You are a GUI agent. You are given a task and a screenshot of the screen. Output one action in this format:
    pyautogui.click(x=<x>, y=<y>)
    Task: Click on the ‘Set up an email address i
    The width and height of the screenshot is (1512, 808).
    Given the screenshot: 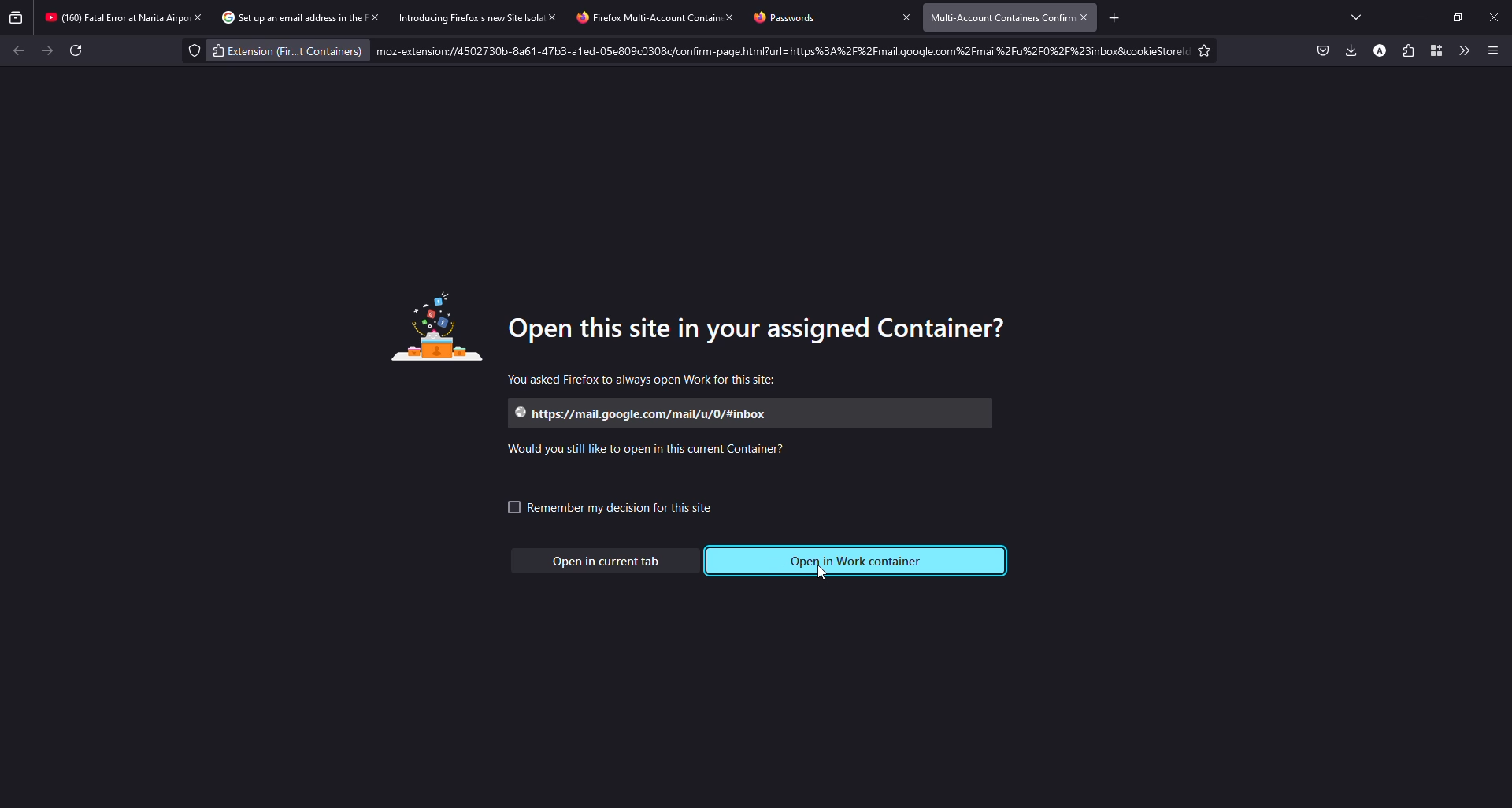 What is the action you would take?
    pyautogui.click(x=279, y=17)
    